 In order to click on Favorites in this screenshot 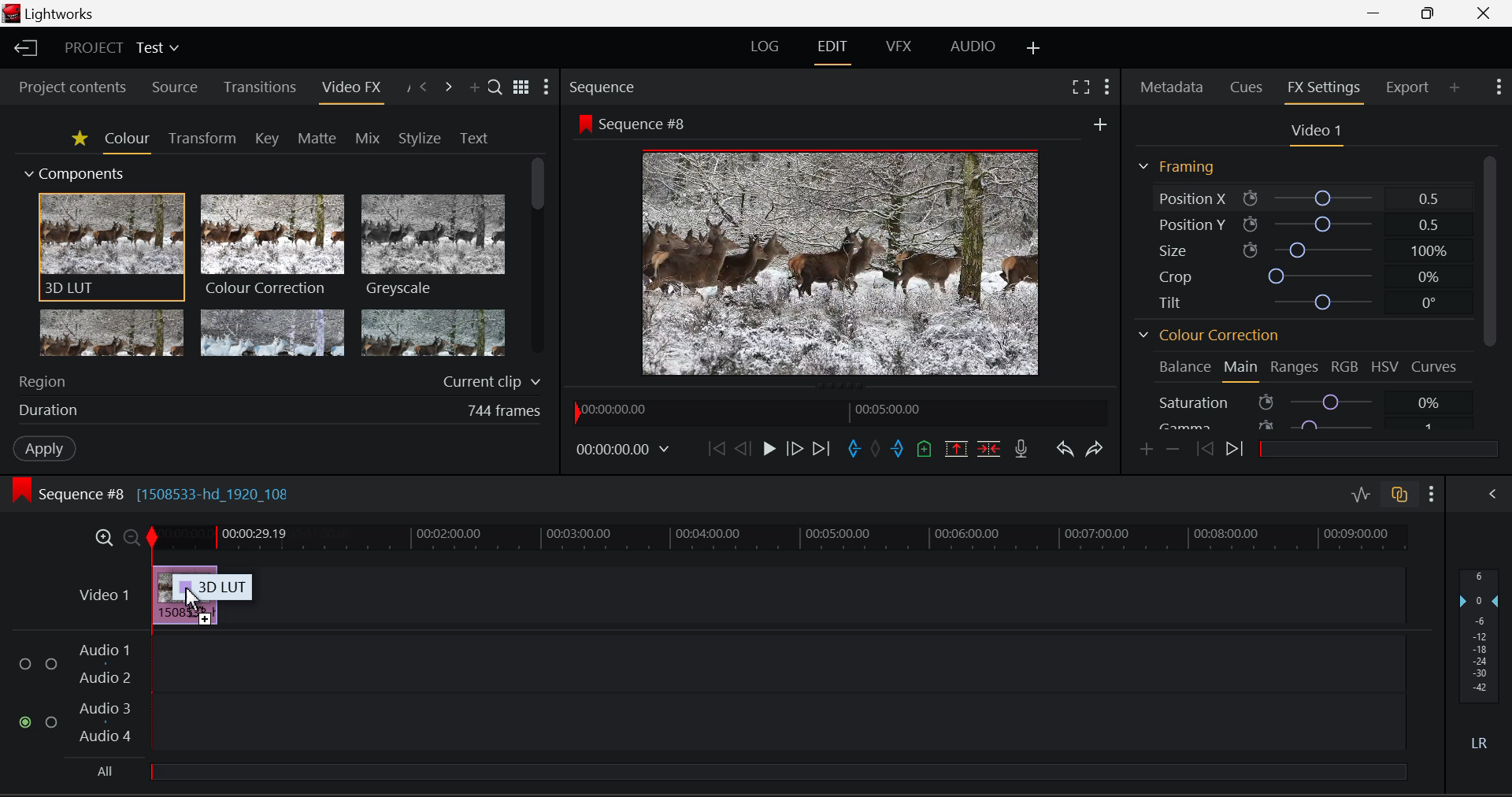, I will do `click(80, 140)`.